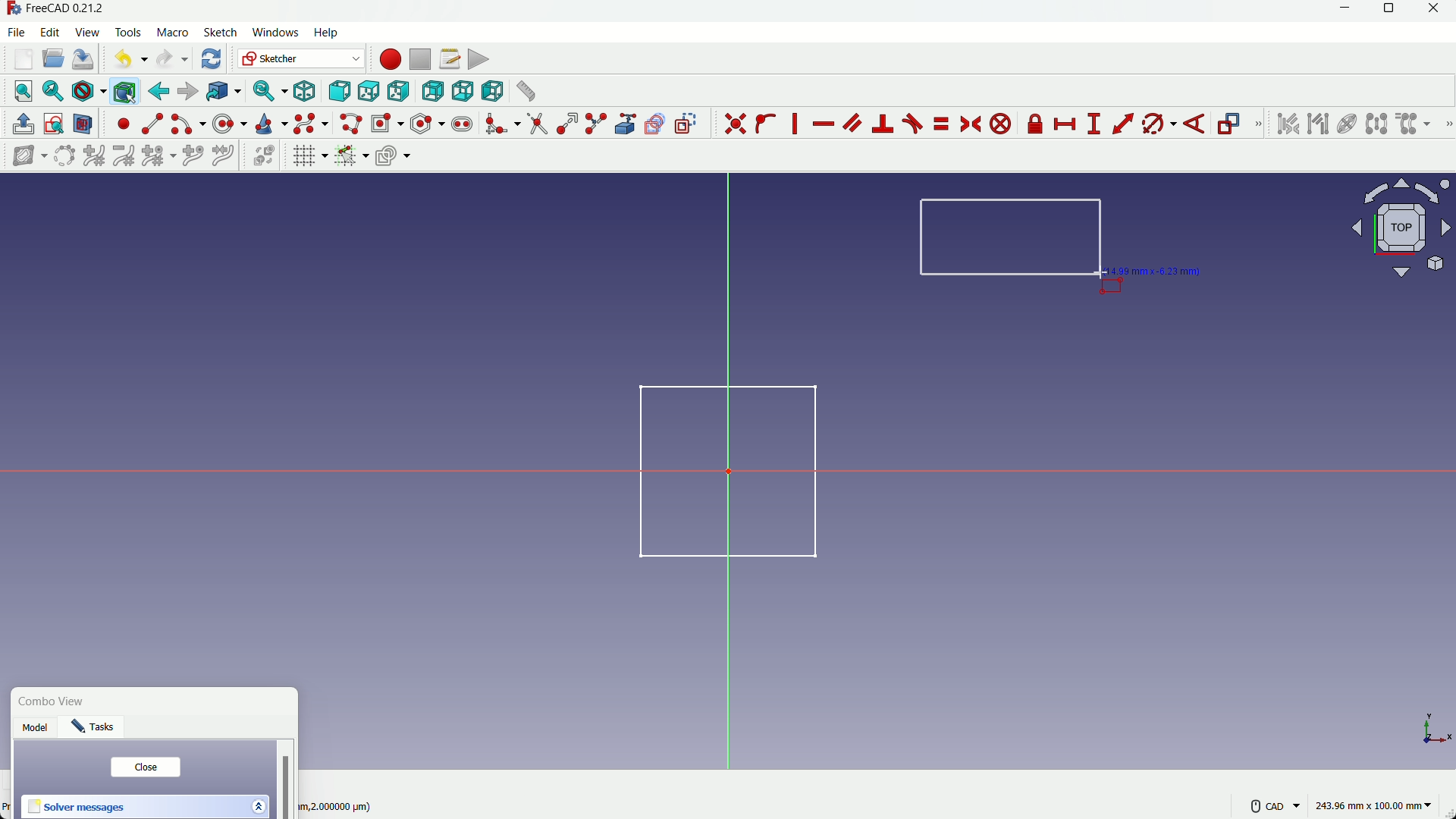 The width and height of the screenshot is (1456, 819). What do you see at coordinates (1391, 11) in the screenshot?
I see `maximize or restore` at bounding box center [1391, 11].